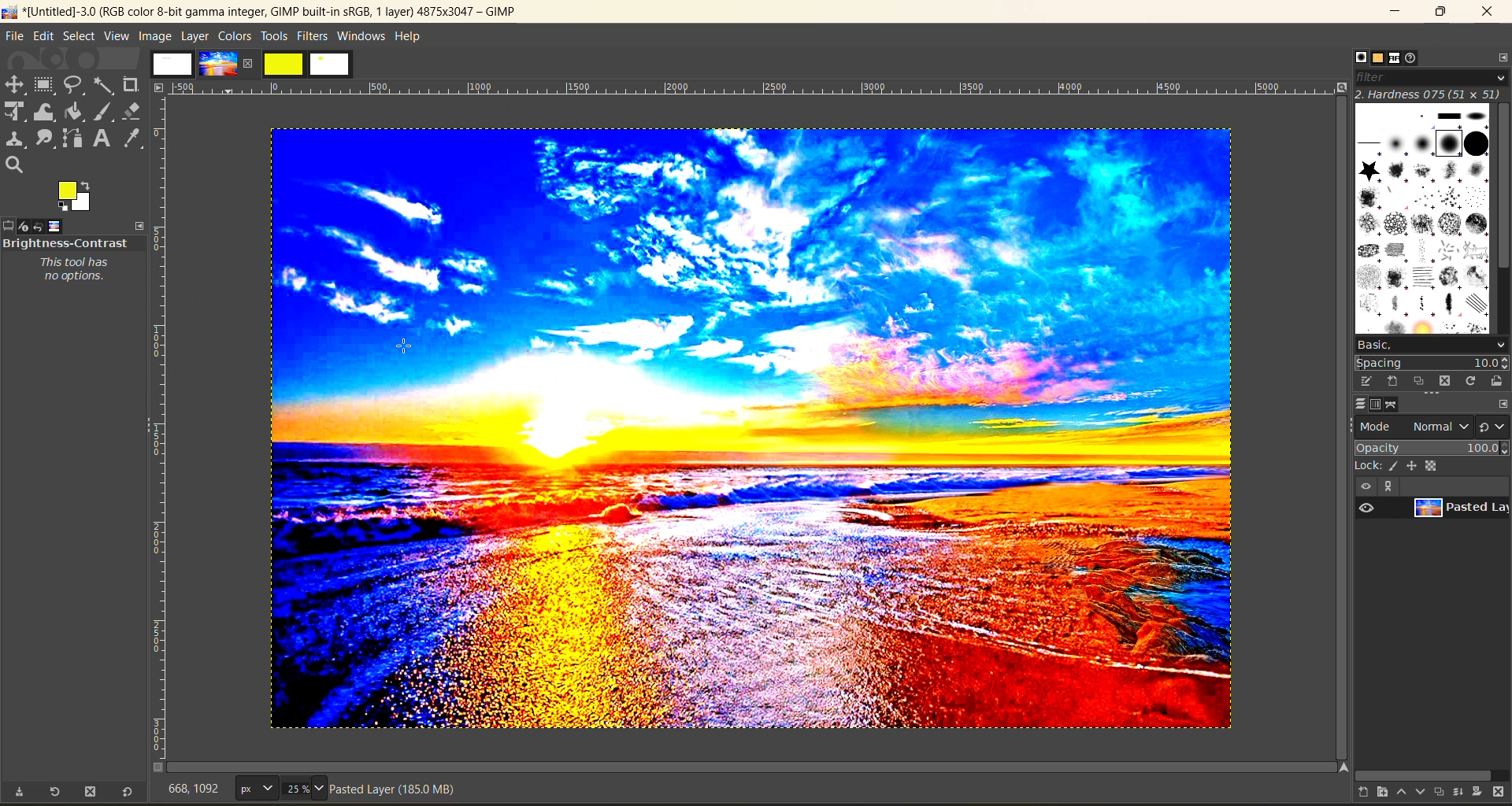 The image size is (1512, 806). Describe the element at coordinates (269, 15) in the screenshot. I see `file name and app title` at that location.